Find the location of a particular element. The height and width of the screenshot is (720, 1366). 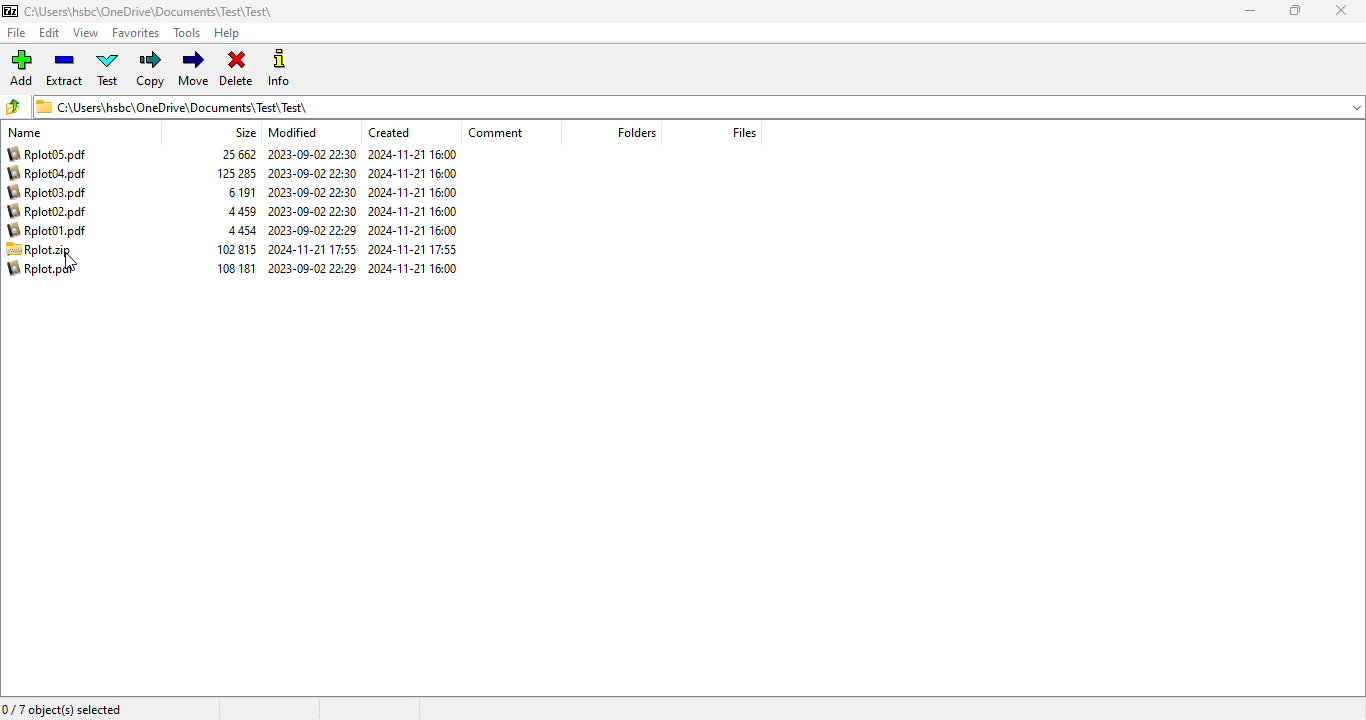

test is located at coordinates (108, 69).